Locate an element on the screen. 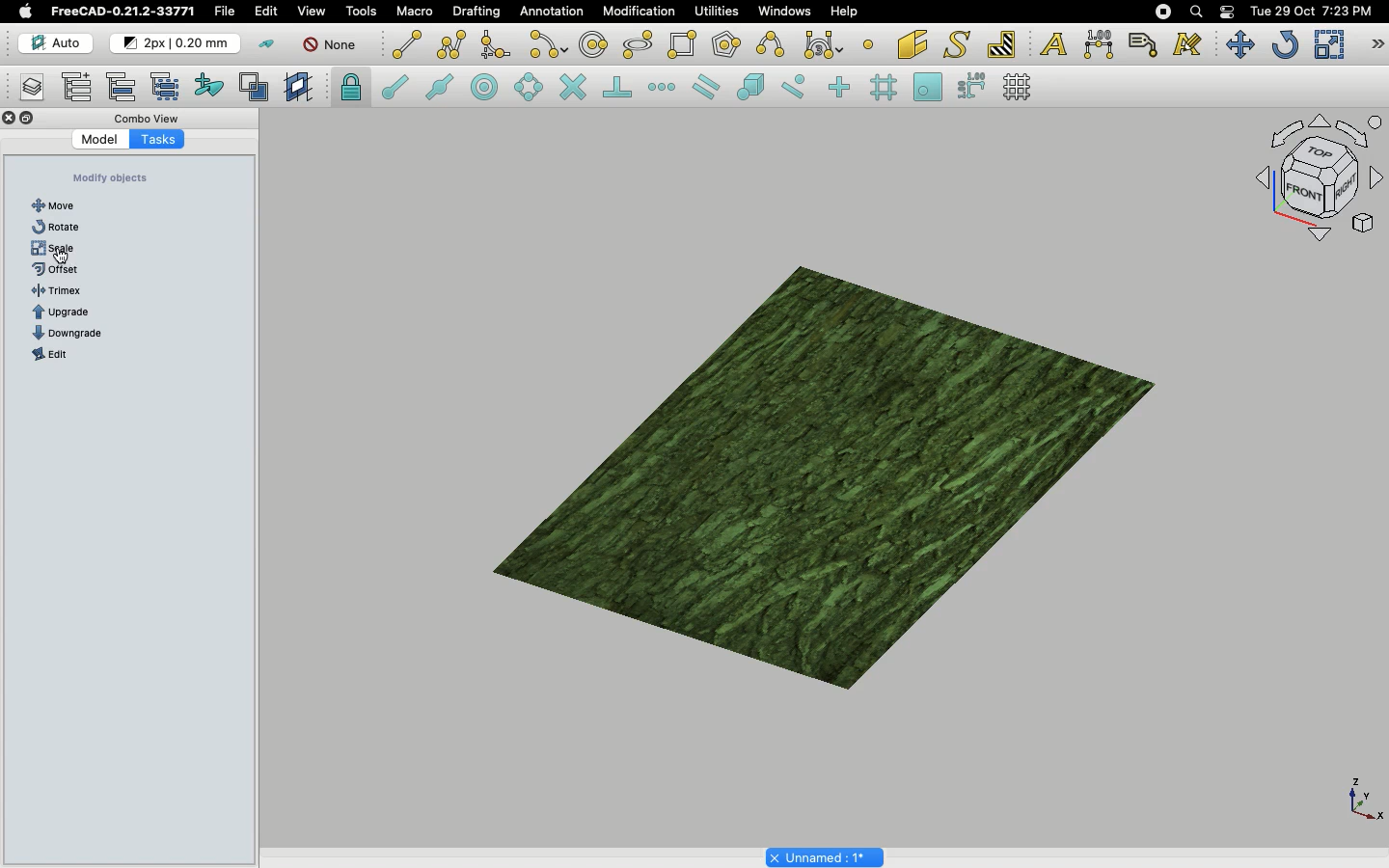 This screenshot has width=1389, height=868. Rectangle is located at coordinates (65, 248).